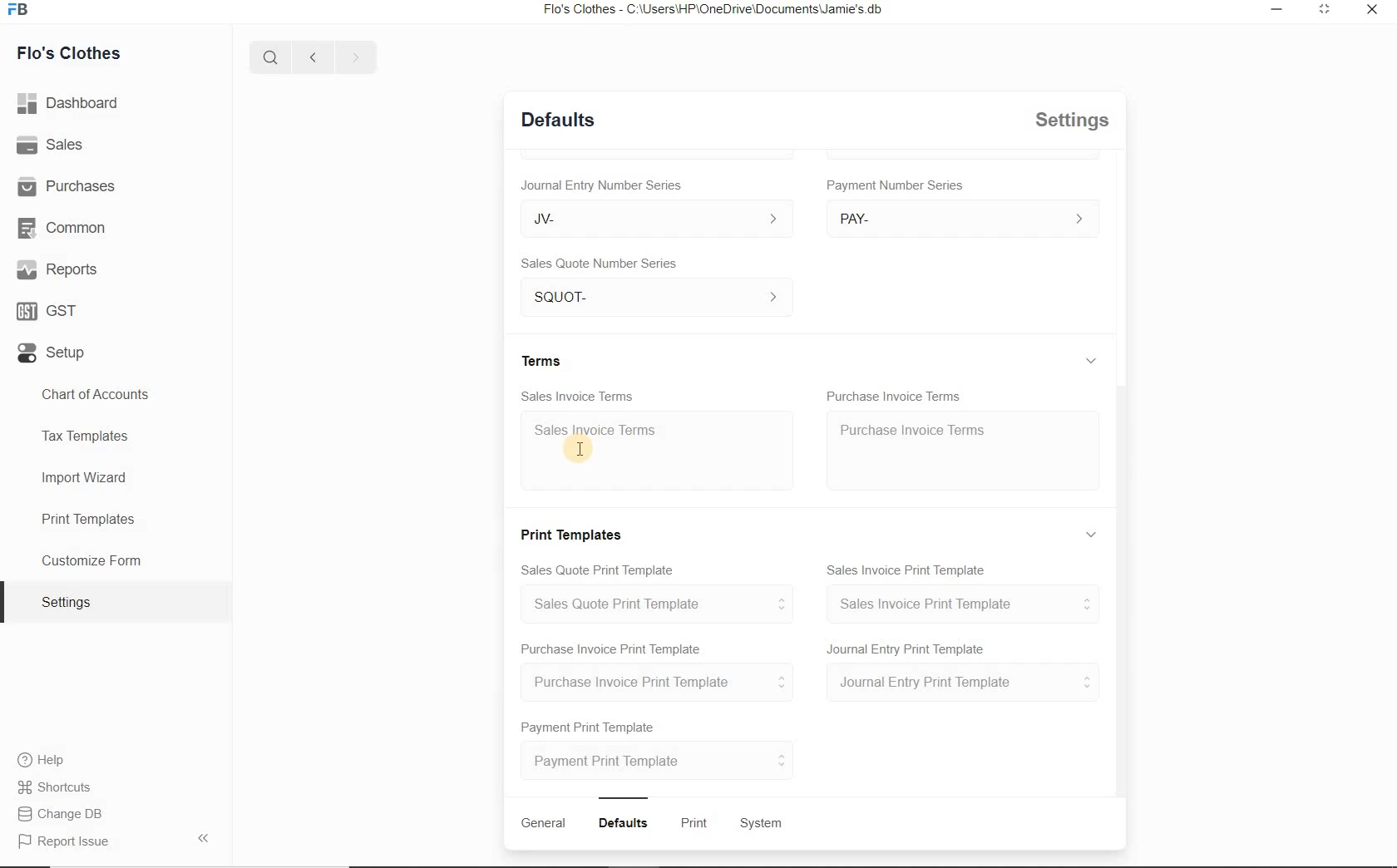  I want to click on Shortcuts, so click(55, 788).